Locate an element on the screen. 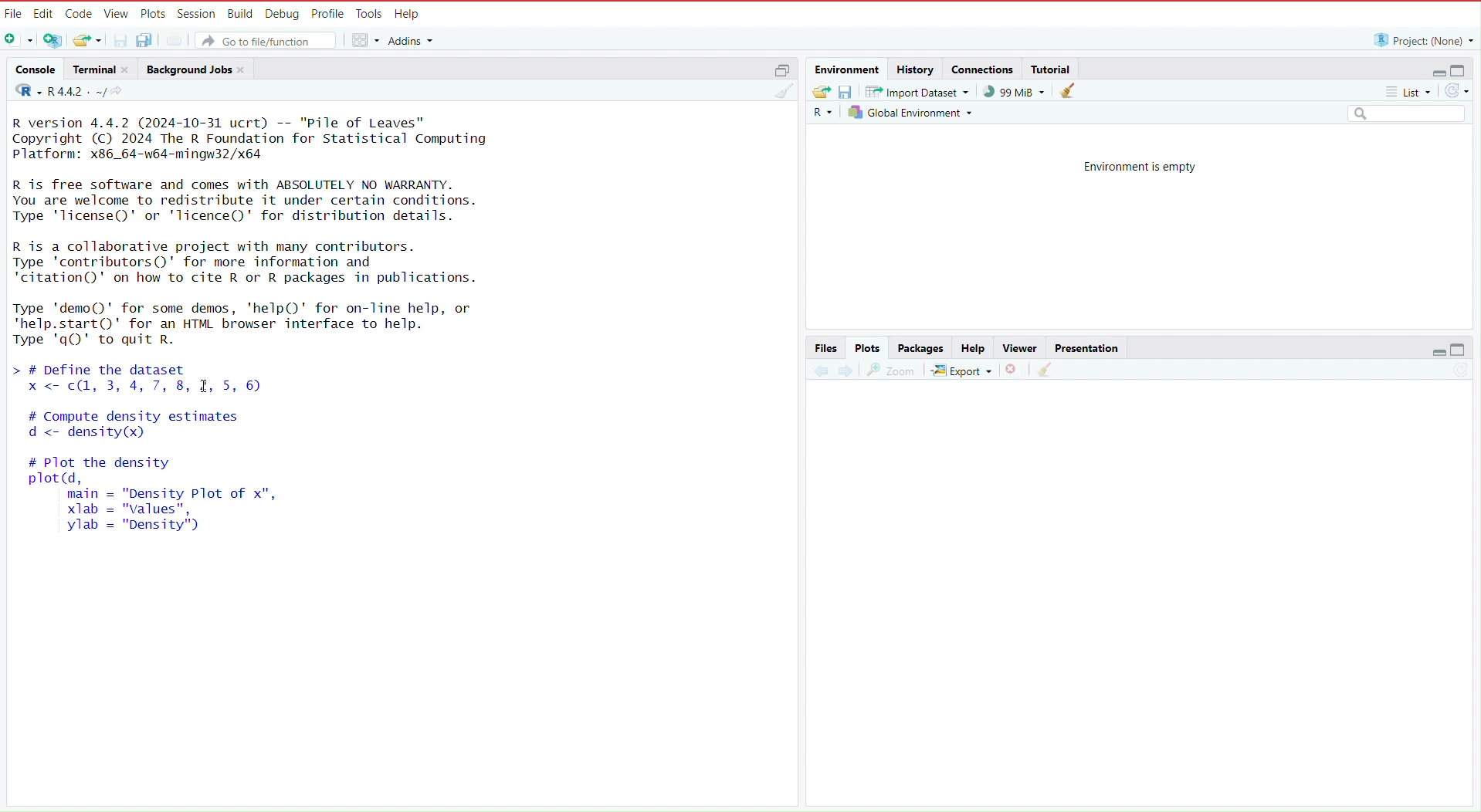 This screenshot has height=812, width=1481. packages is located at coordinates (920, 347).